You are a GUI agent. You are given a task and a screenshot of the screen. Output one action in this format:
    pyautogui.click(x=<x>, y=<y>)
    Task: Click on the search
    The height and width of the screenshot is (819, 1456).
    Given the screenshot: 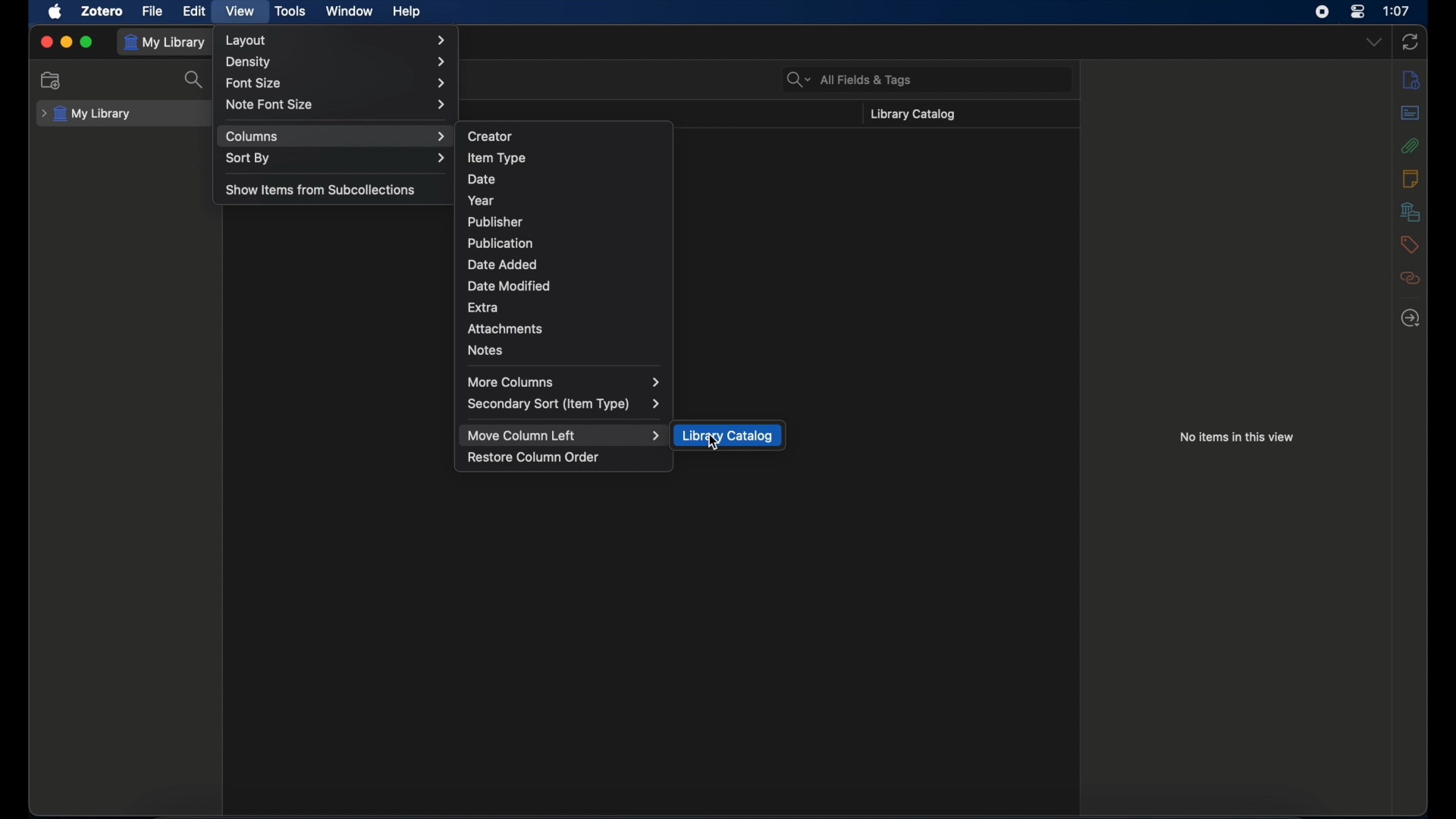 What is the action you would take?
    pyautogui.click(x=196, y=80)
    